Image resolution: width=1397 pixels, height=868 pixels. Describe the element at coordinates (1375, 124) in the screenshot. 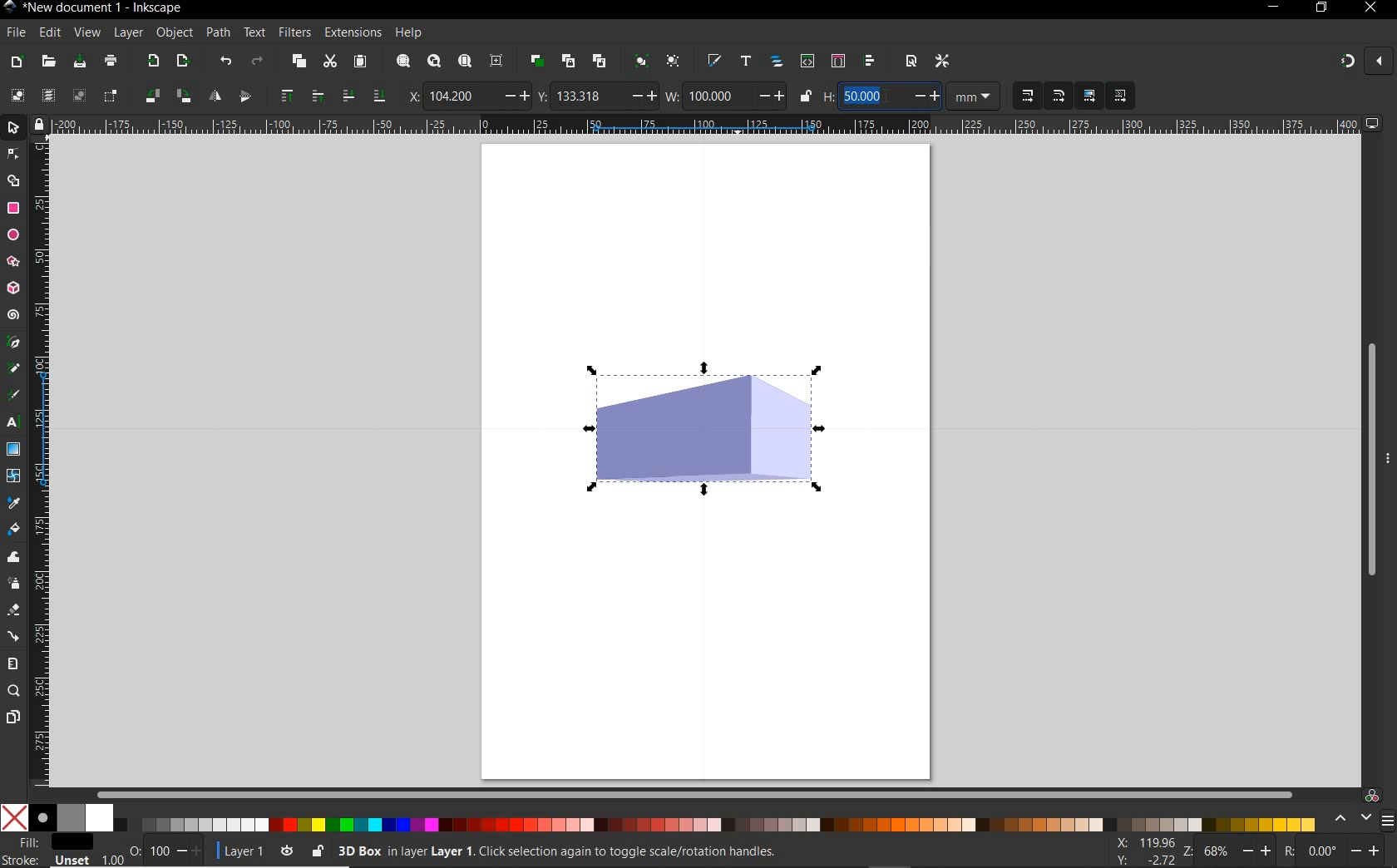

I see `computer icon` at that location.